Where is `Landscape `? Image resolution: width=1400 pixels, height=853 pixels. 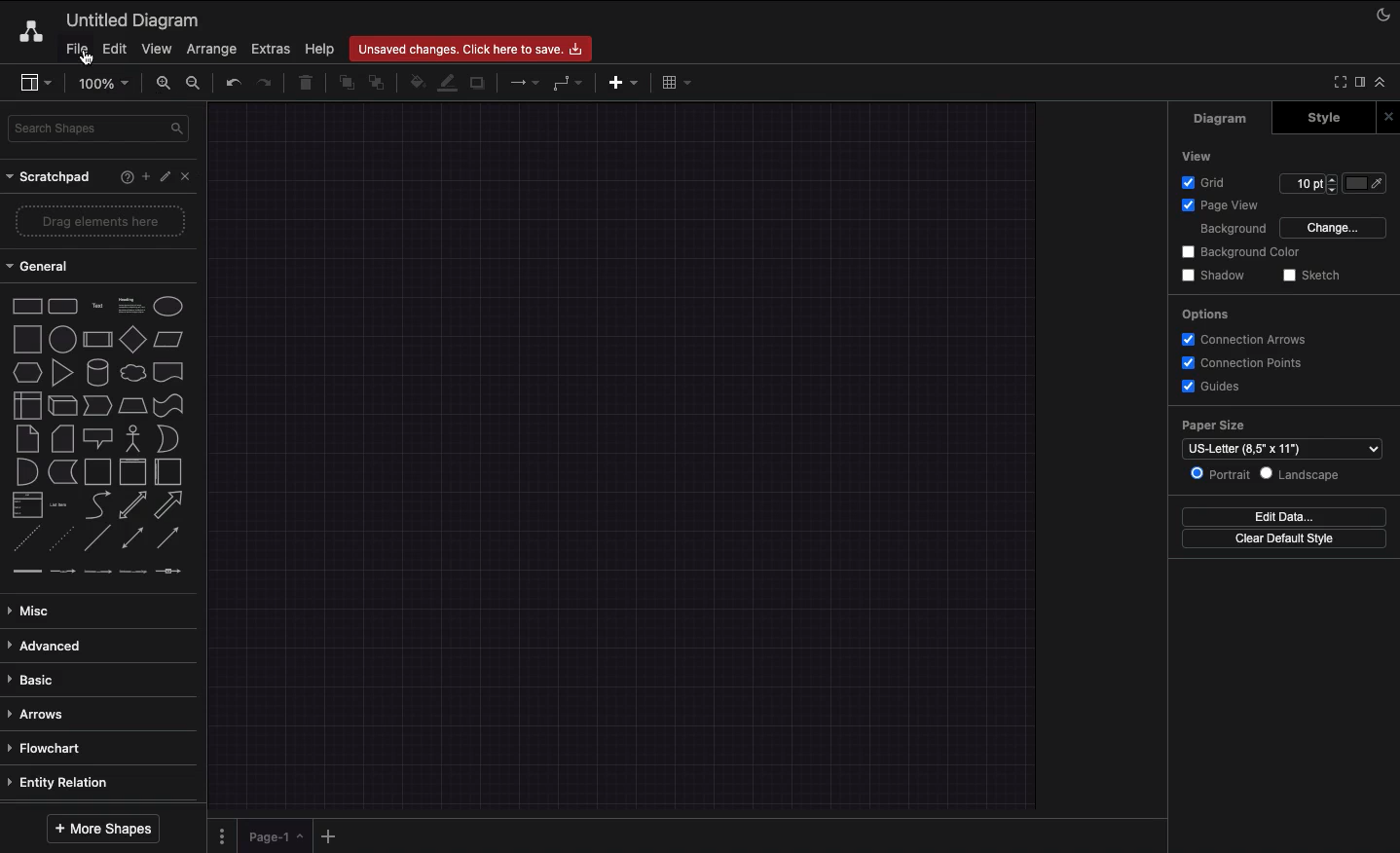
Landscape  is located at coordinates (1304, 474).